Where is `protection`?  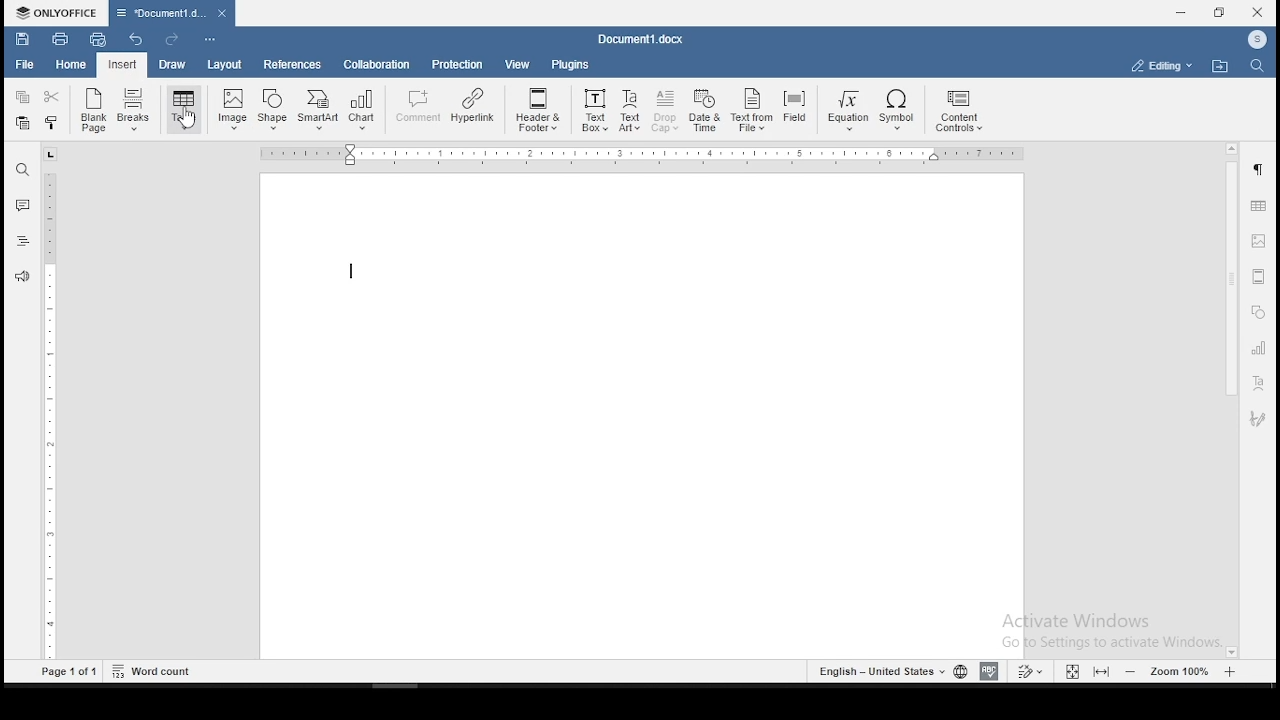 protection is located at coordinates (459, 64).